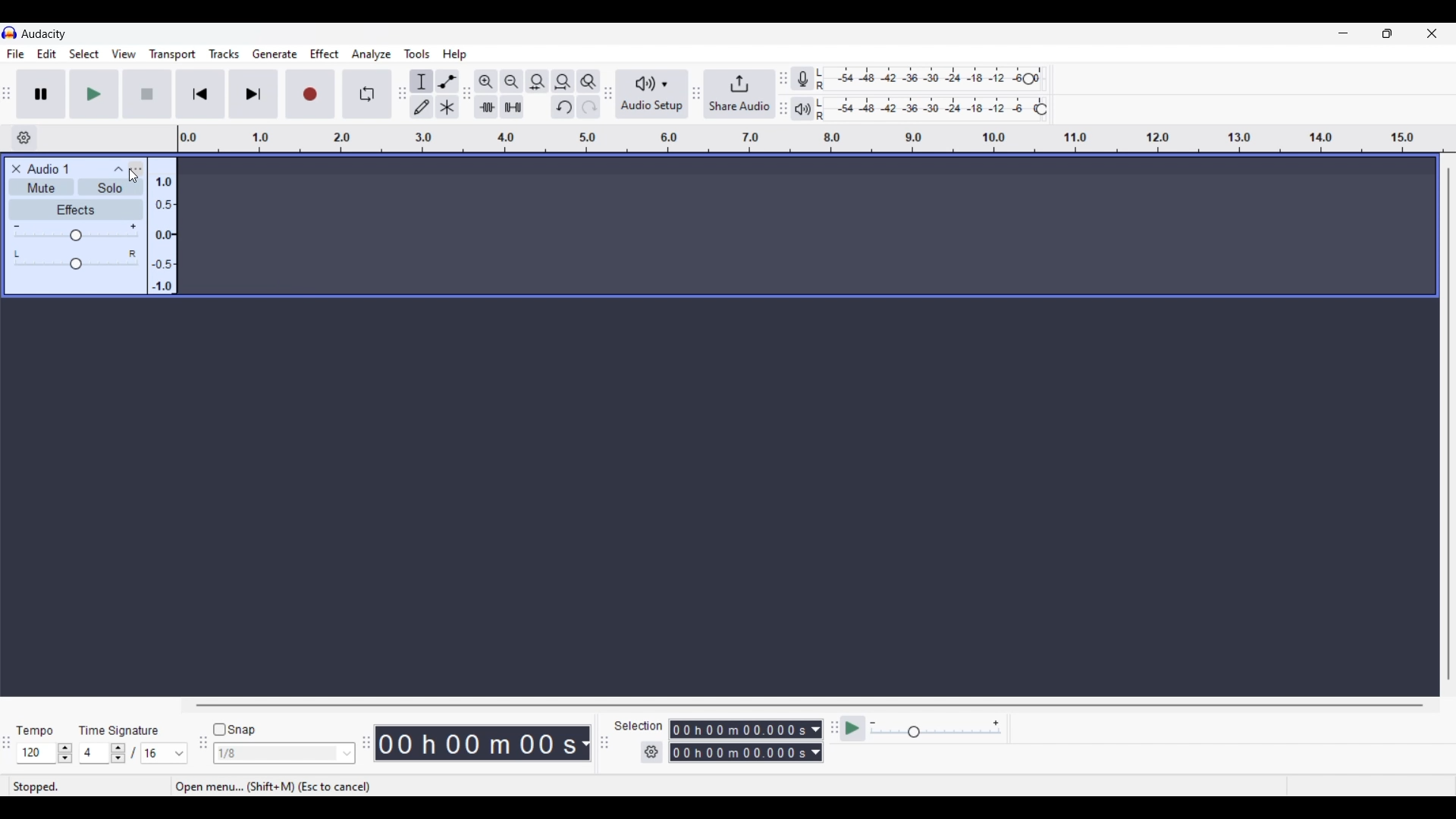 This screenshot has width=1456, height=819. Describe the element at coordinates (810, 705) in the screenshot. I see `Horizontal slide bar` at that location.